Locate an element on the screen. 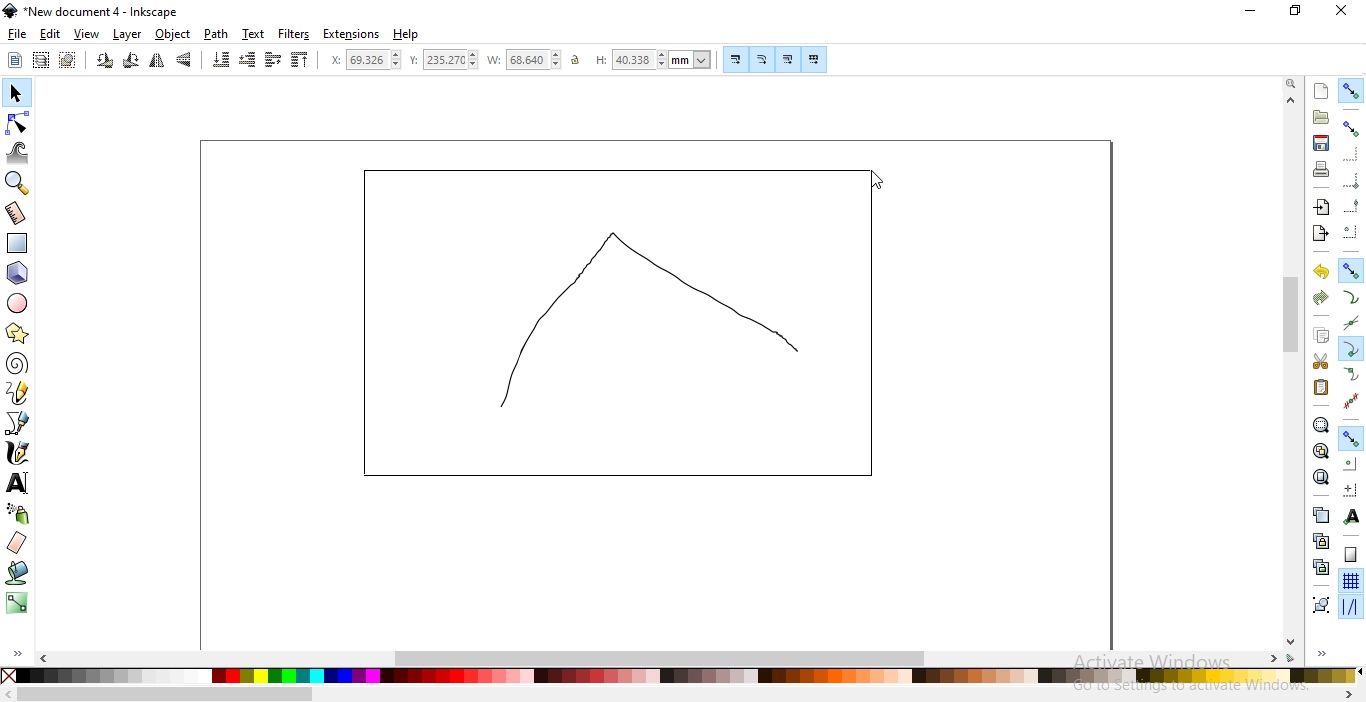 This screenshot has height=702, width=1366. create stars and polygons is located at coordinates (17, 335).